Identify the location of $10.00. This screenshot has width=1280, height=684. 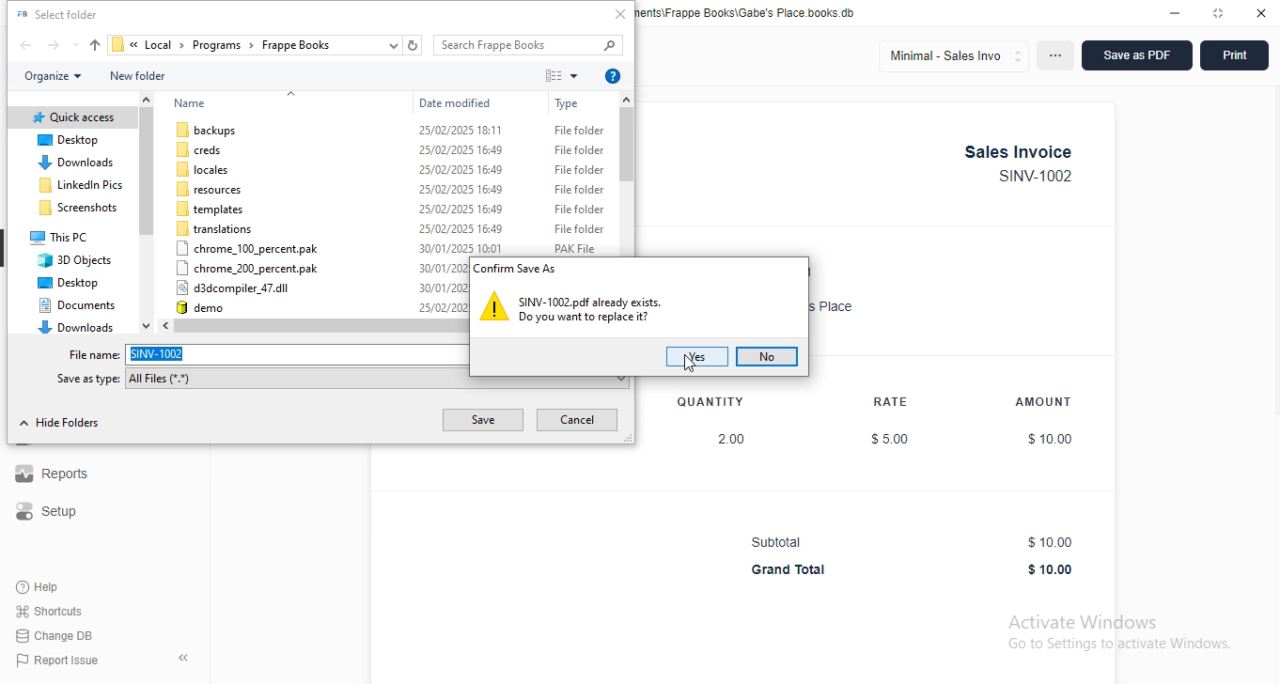
(1050, 440).